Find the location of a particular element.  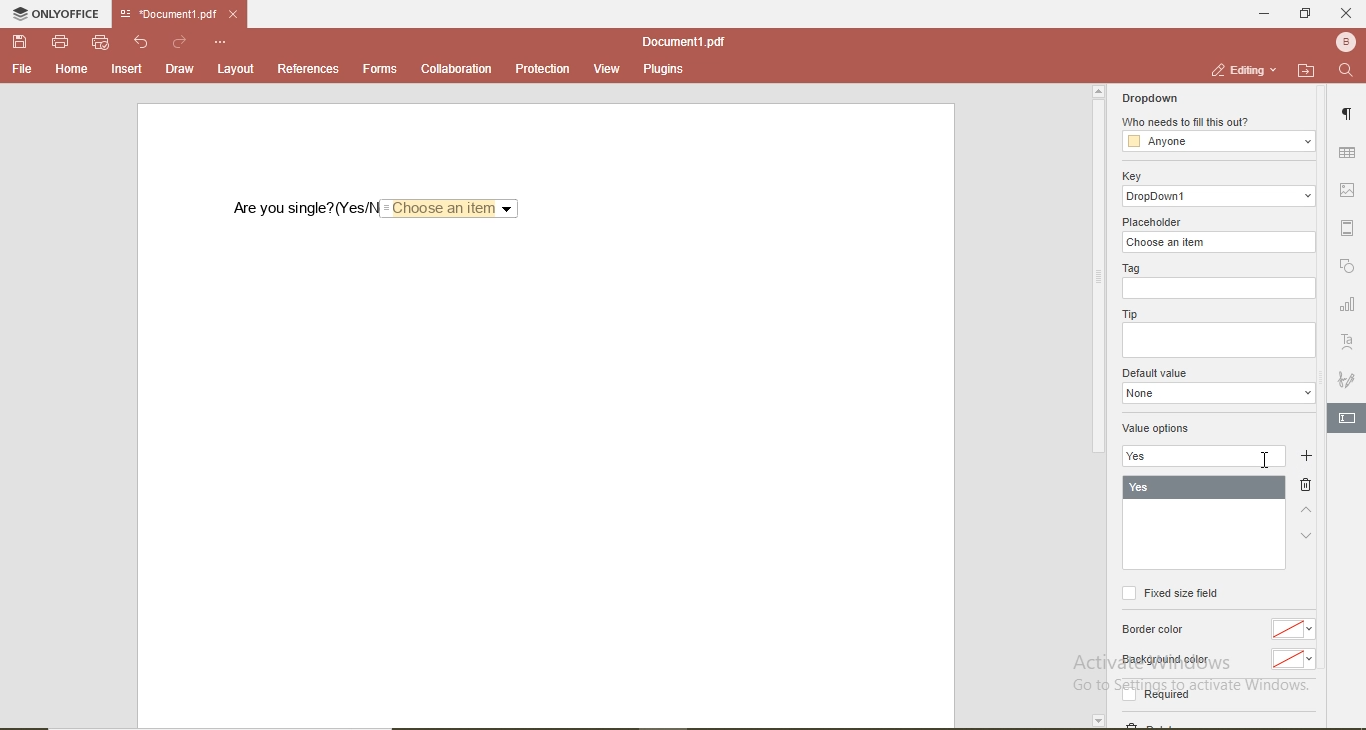

collaboration is located at coordinates (456, 69).